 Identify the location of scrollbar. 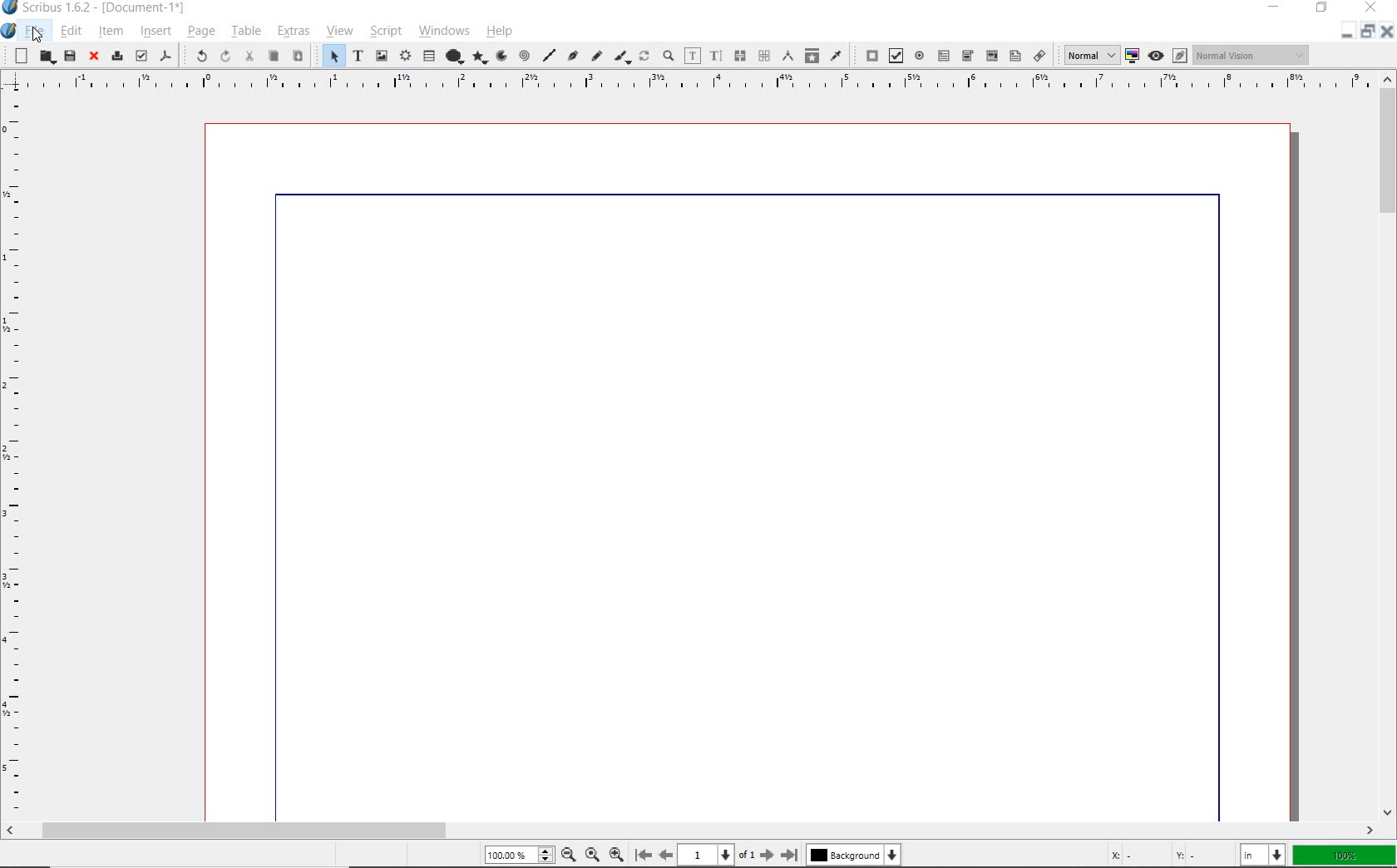
(690, 832).